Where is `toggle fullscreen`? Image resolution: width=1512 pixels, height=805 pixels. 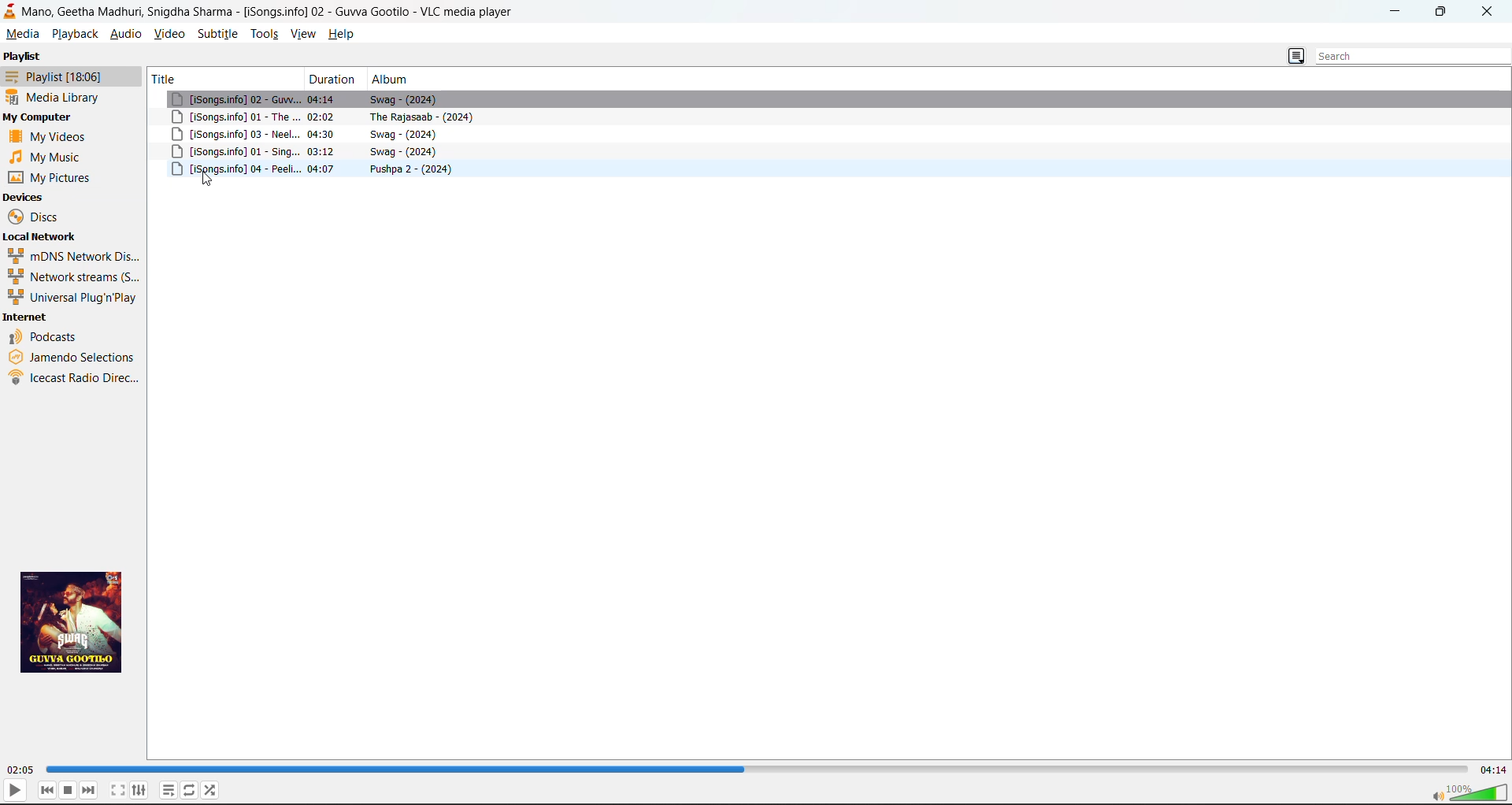 toggle fullscreen is located at coordinates (118, 790).